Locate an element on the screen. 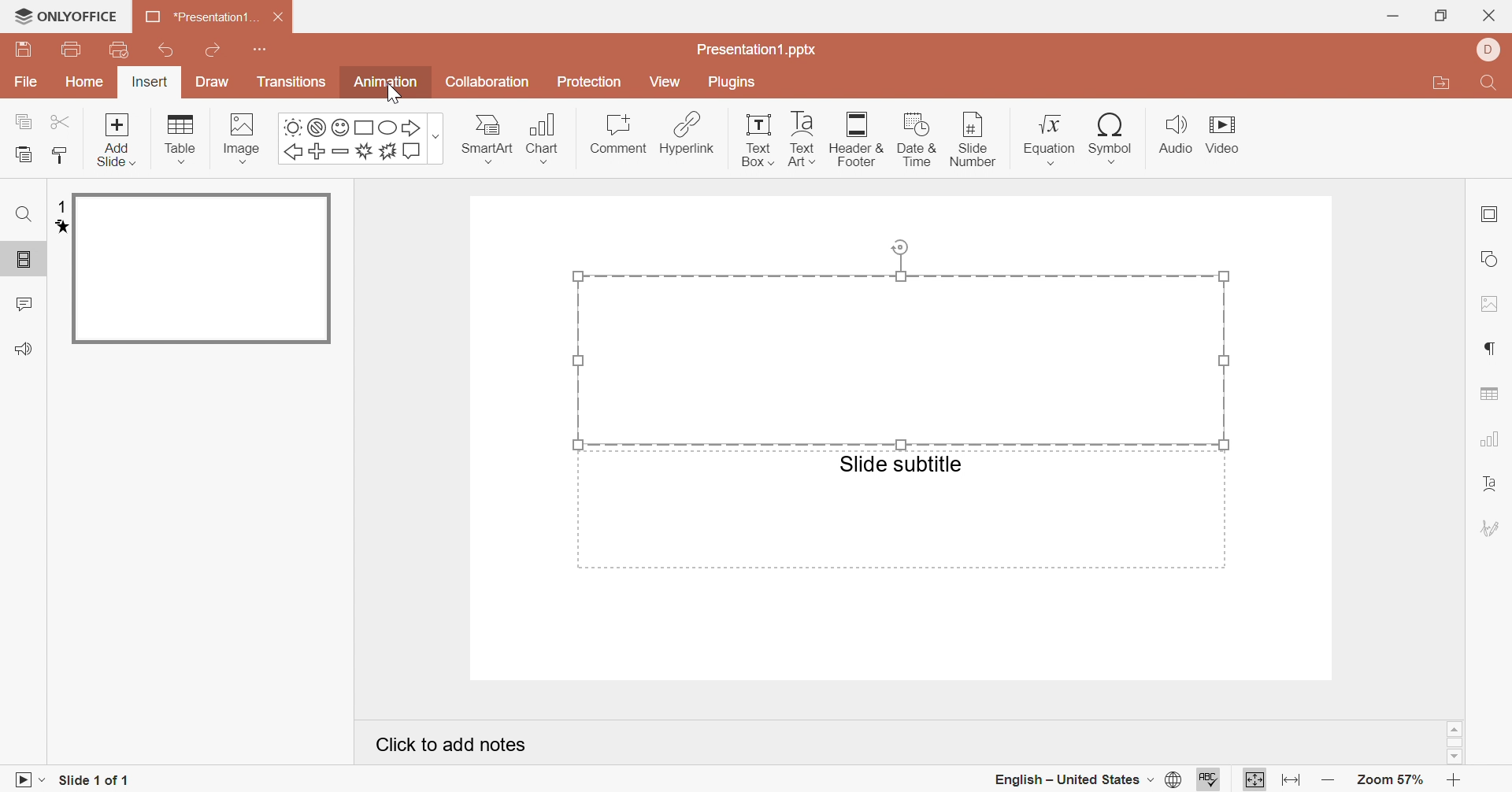 Image resolution: width=1512 pixels, height=792 pixels. save is located at coordinates (24, 49).